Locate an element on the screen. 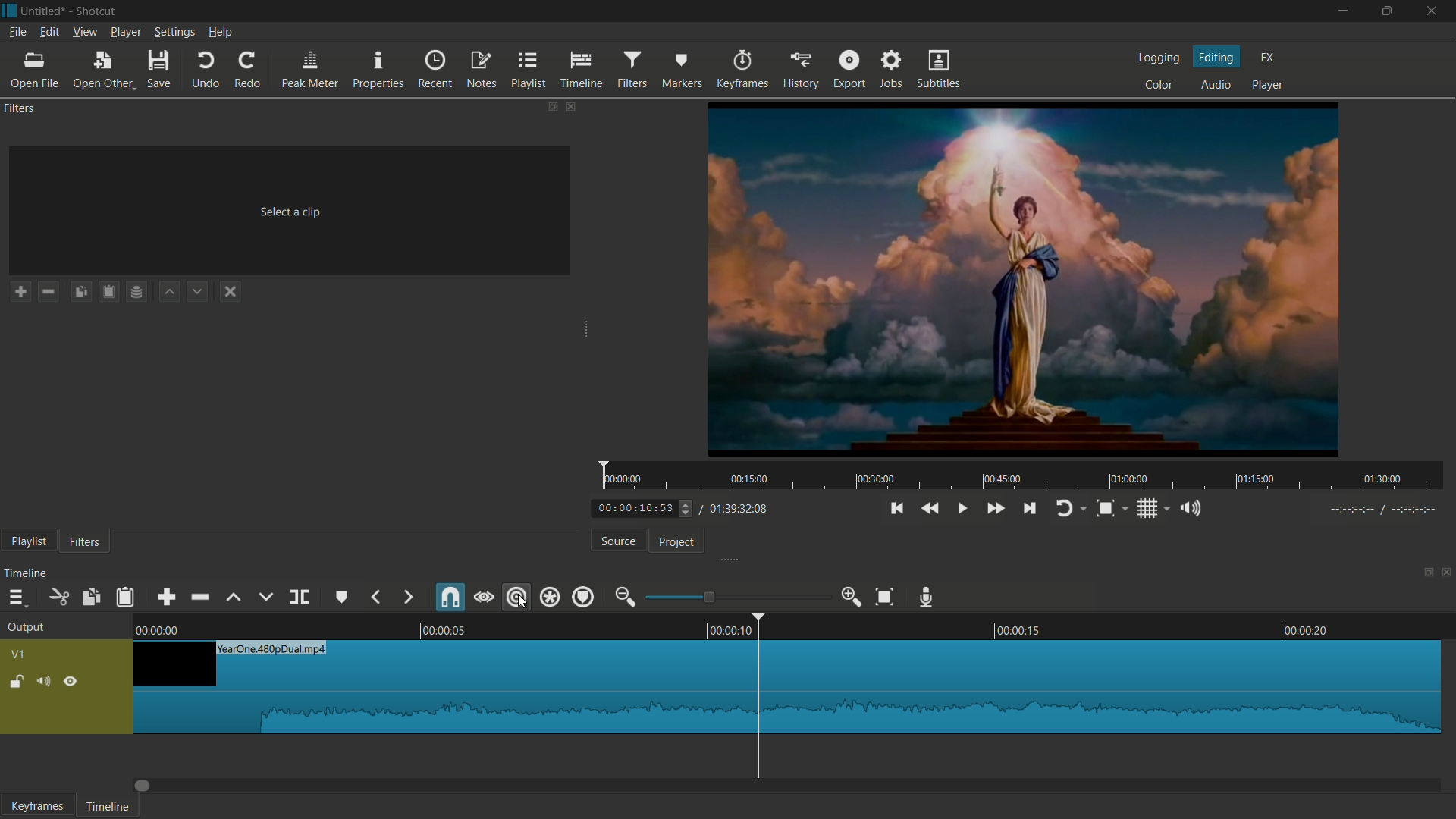 The width and height of the screenshot is (1456, 819). source is located at coordinates (617, 541).